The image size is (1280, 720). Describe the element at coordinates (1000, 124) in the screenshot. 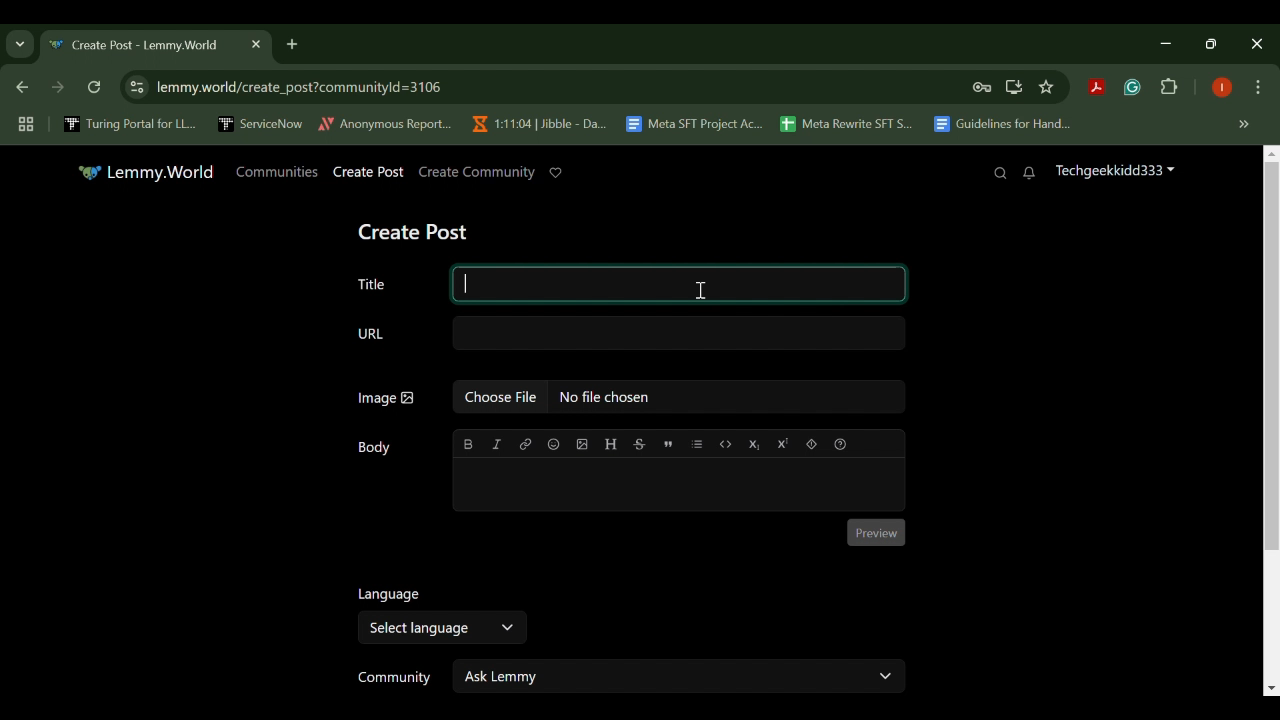

I see `Guidelines for Hand...` at that location.